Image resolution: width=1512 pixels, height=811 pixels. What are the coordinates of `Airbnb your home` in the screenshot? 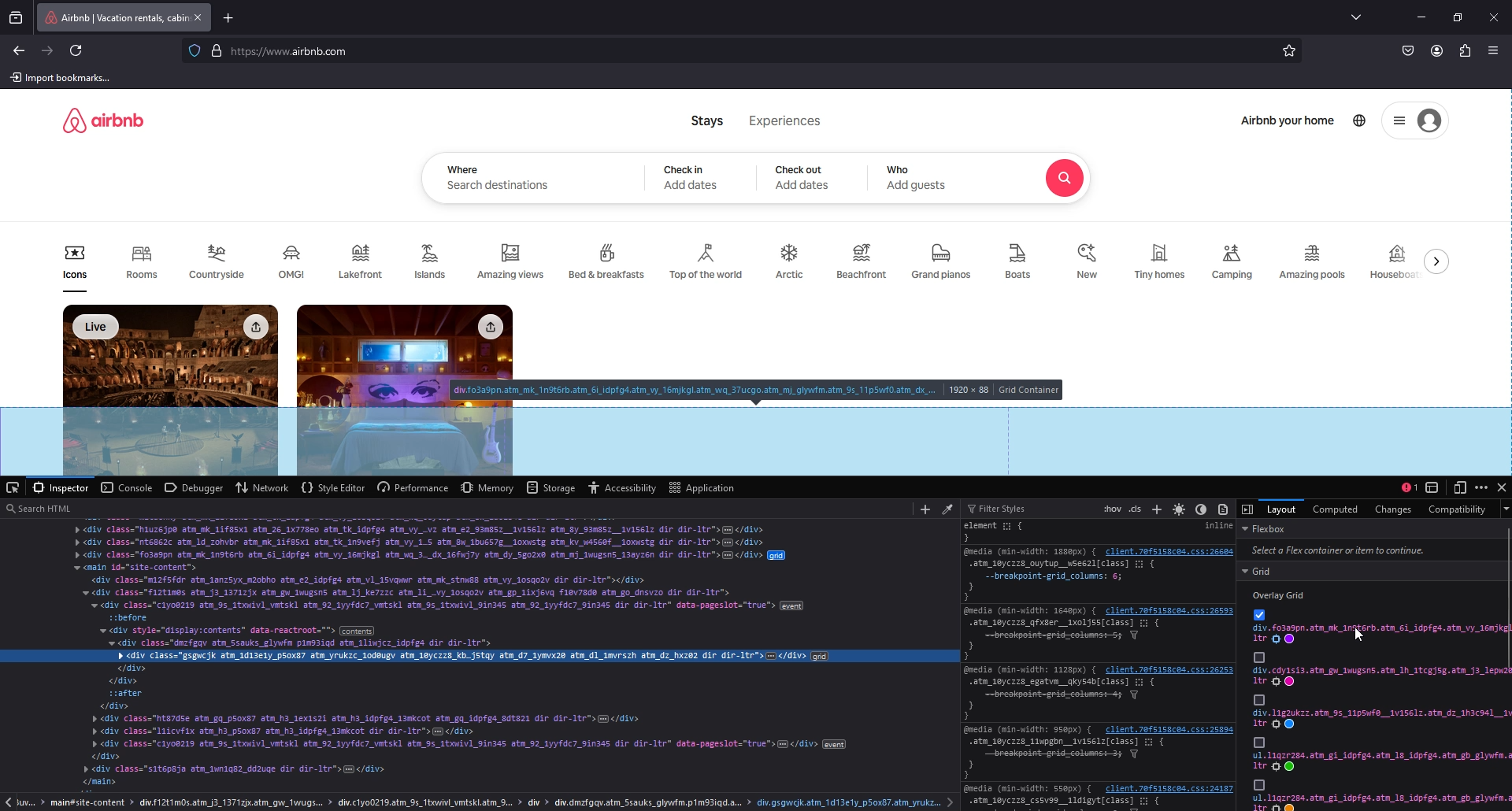 It's located at (1288, 122).